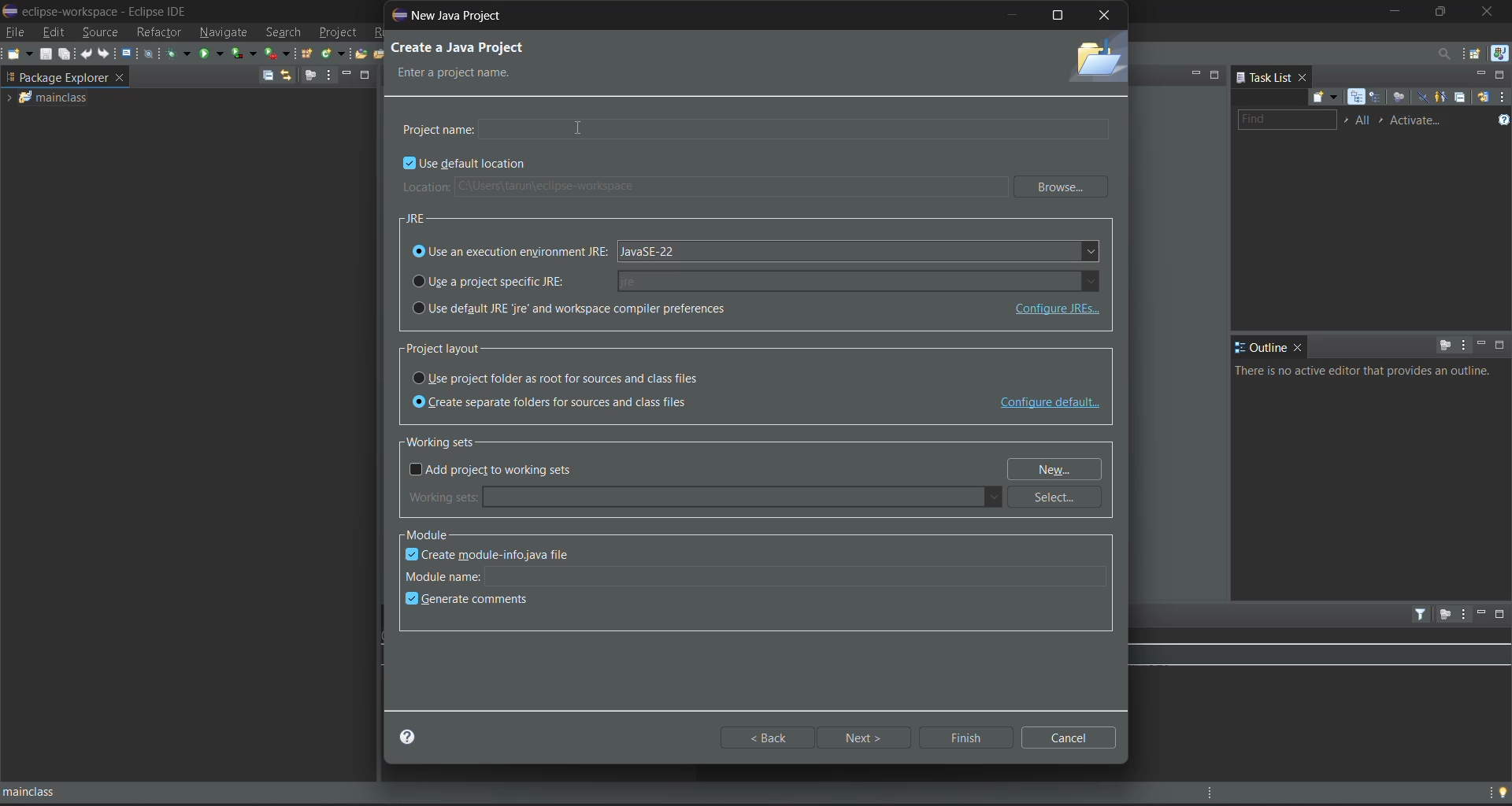 The image size is (1512, 806). Describe the element at coordinates (755, 127) in the screenshot. I see `project name` at that location.